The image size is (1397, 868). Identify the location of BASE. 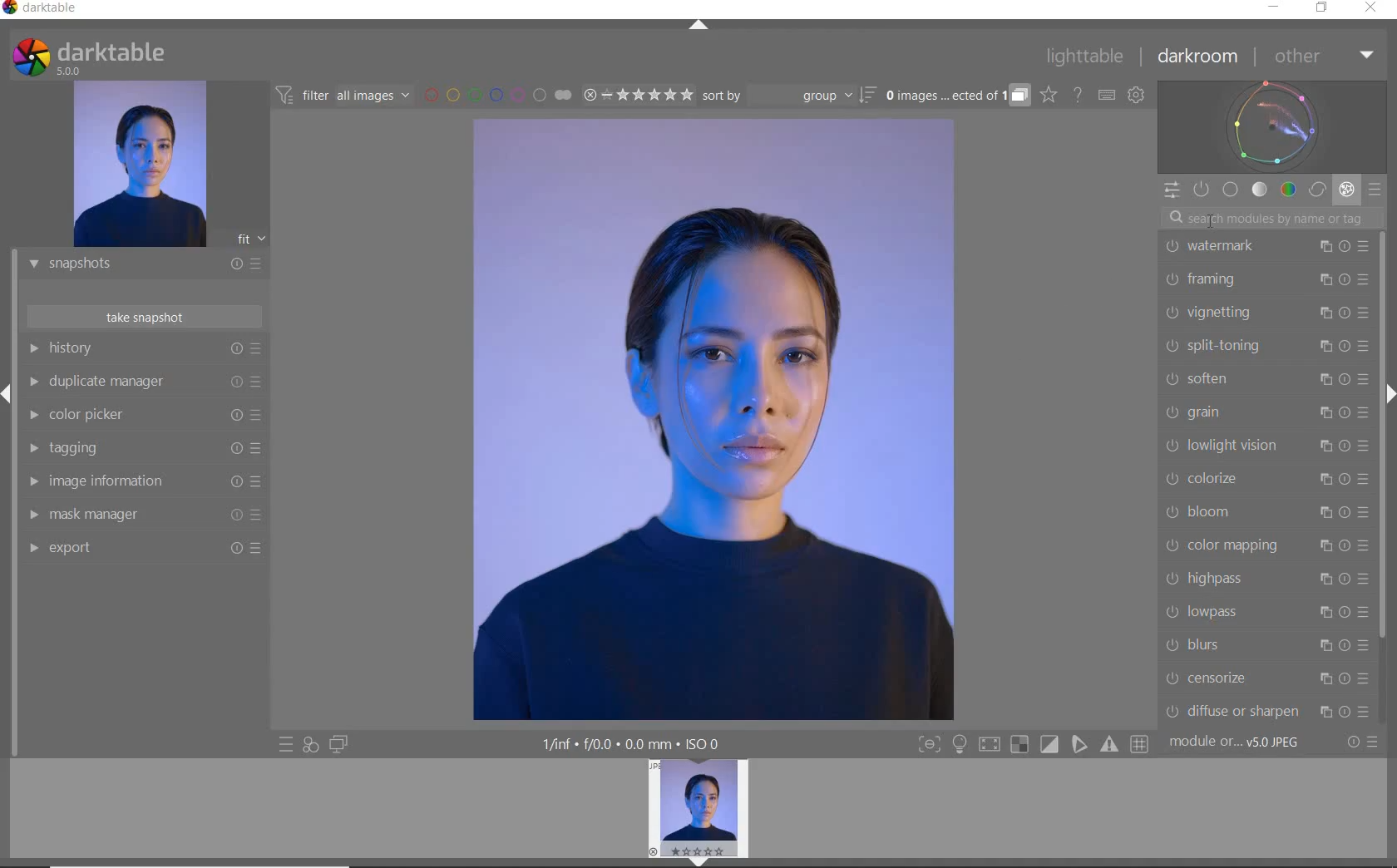
(1231, 190).